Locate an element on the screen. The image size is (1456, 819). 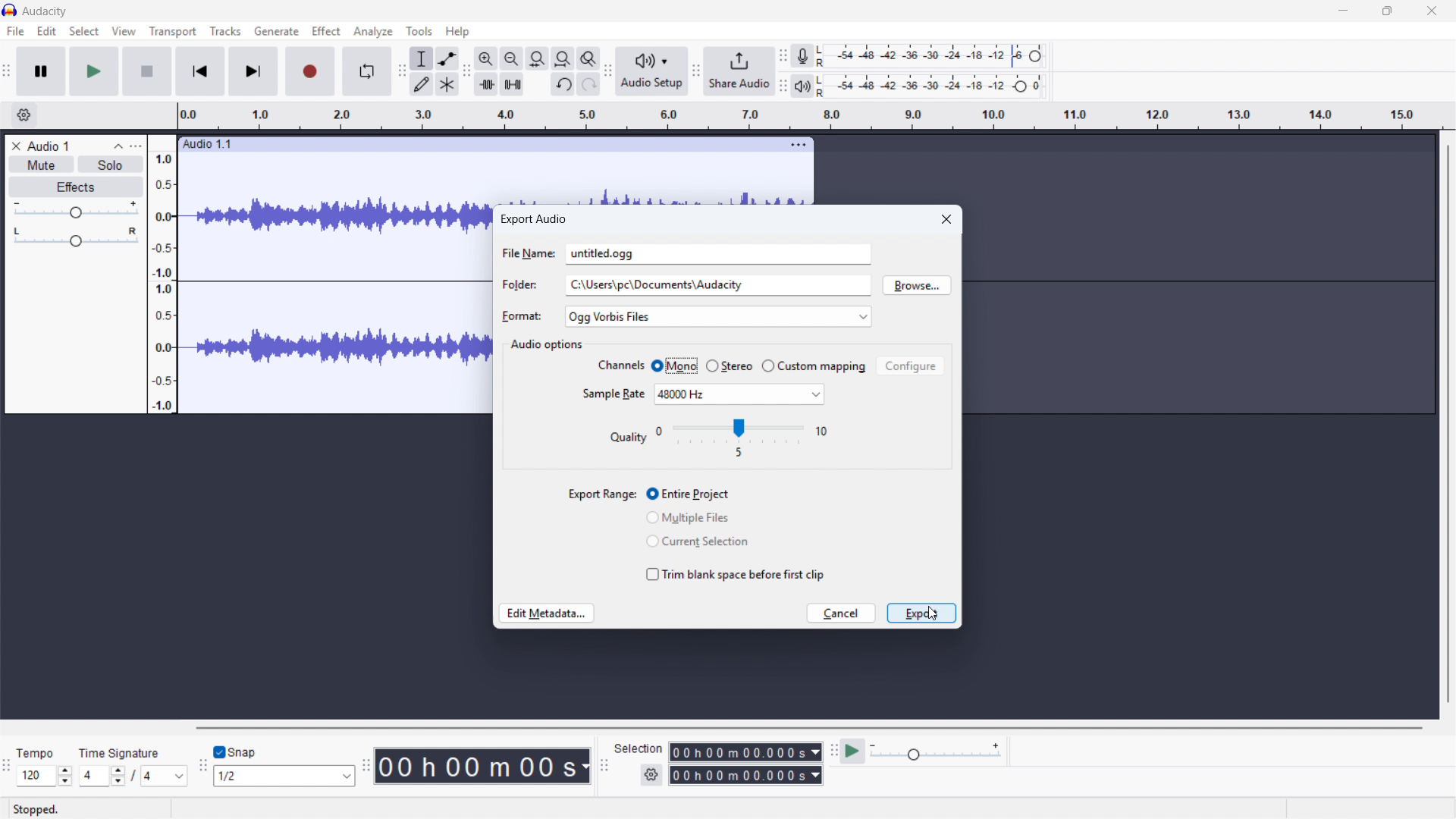
Redo  is located at coordinates (588, 83).